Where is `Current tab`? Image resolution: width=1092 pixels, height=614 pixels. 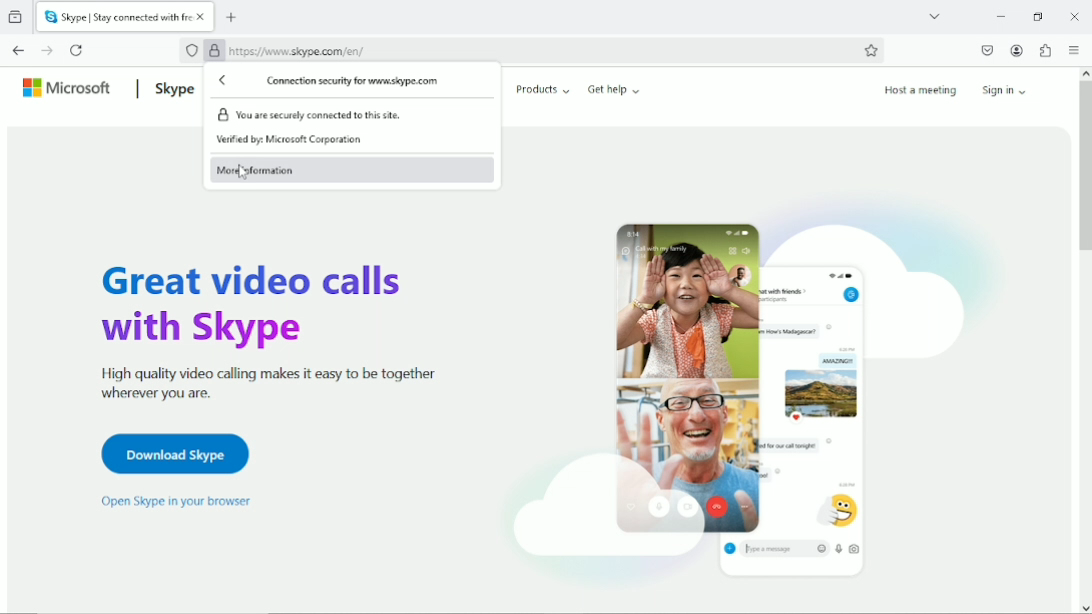 Current tab is located at coordinates (118, 17).